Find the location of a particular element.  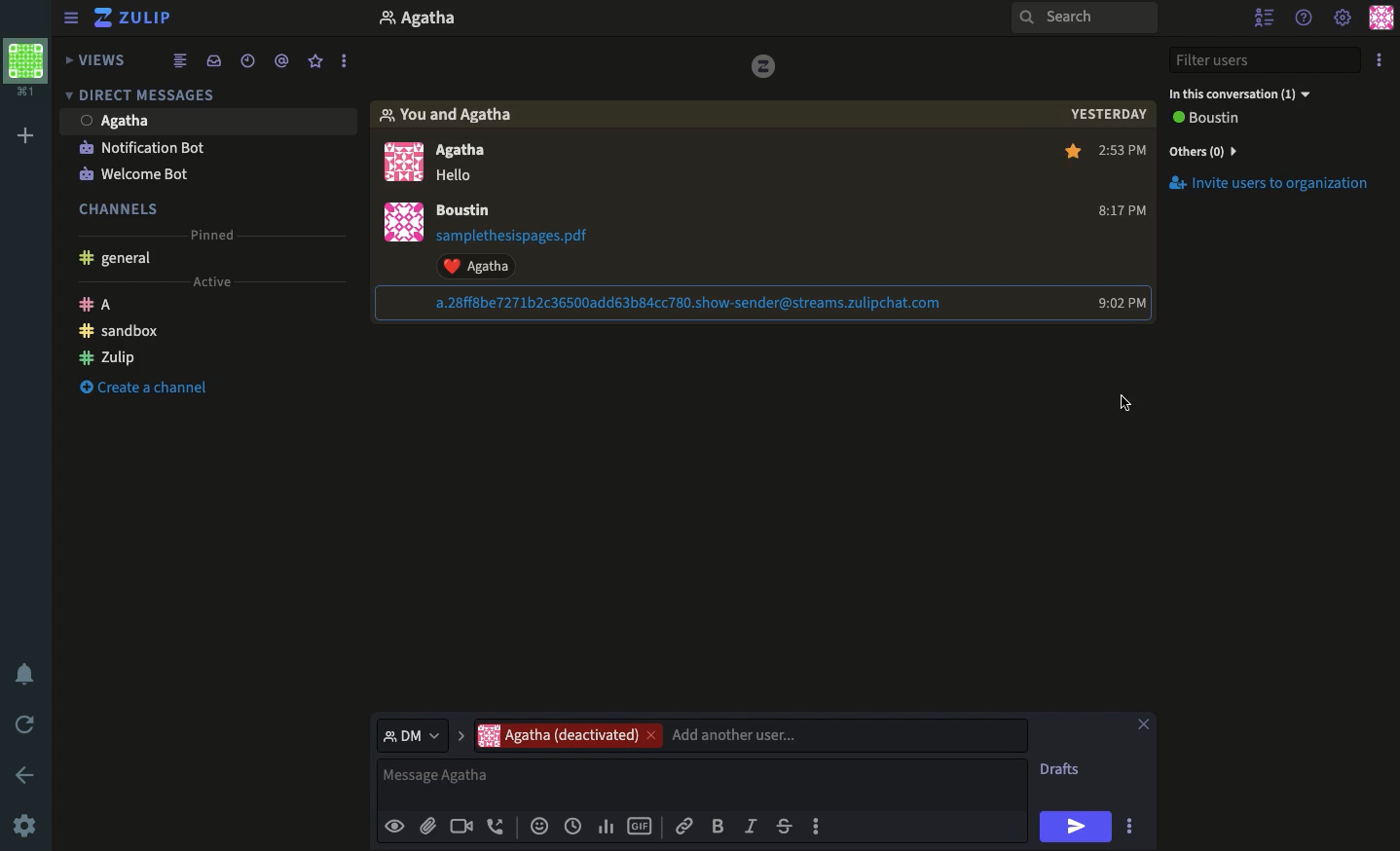

Bold is located at coordinates (721, 825).